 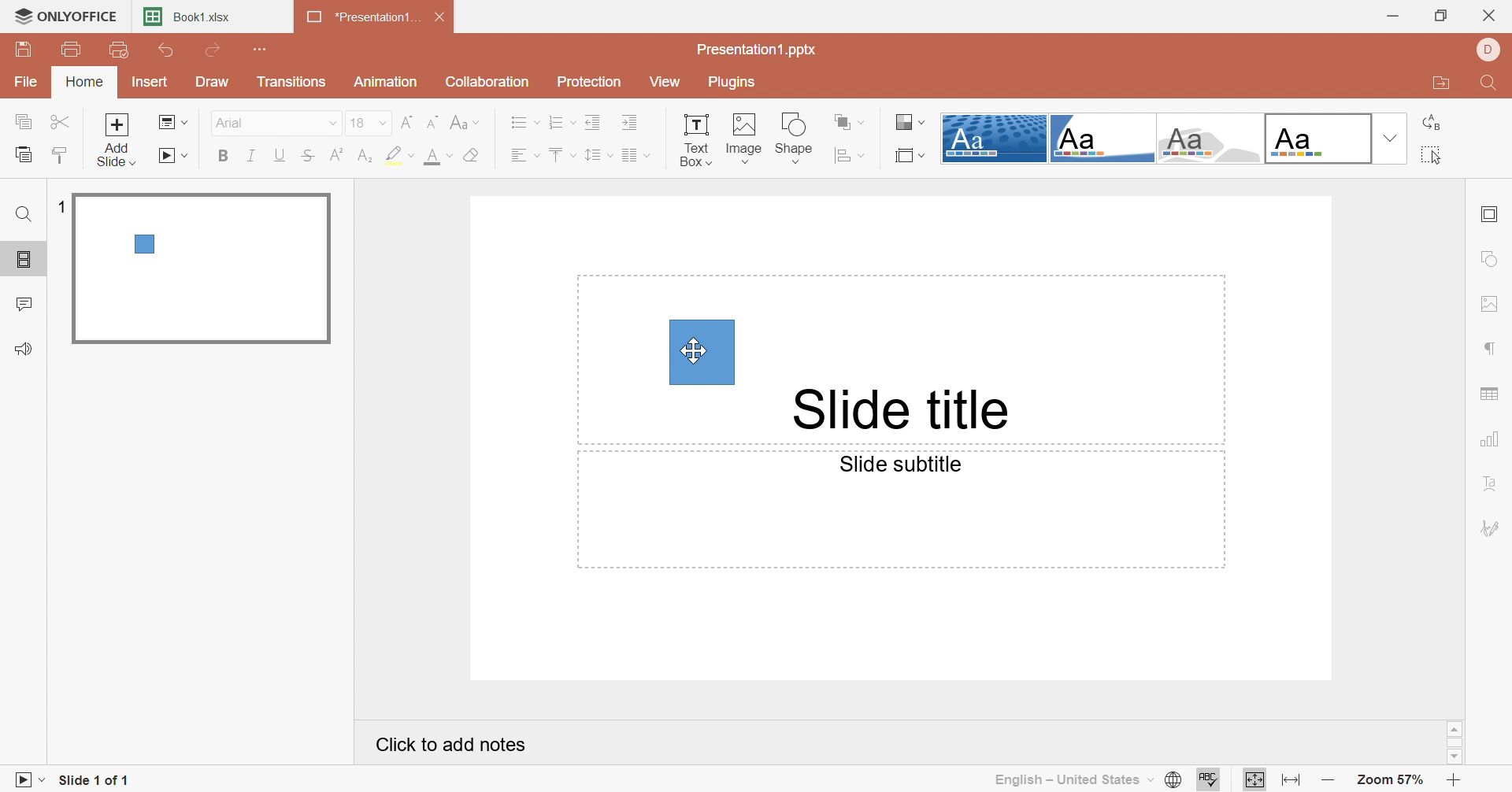 What do you see at coordinates (850, 156) in the screenshot?
I see `Align shape` at bounding box center [850, 156].